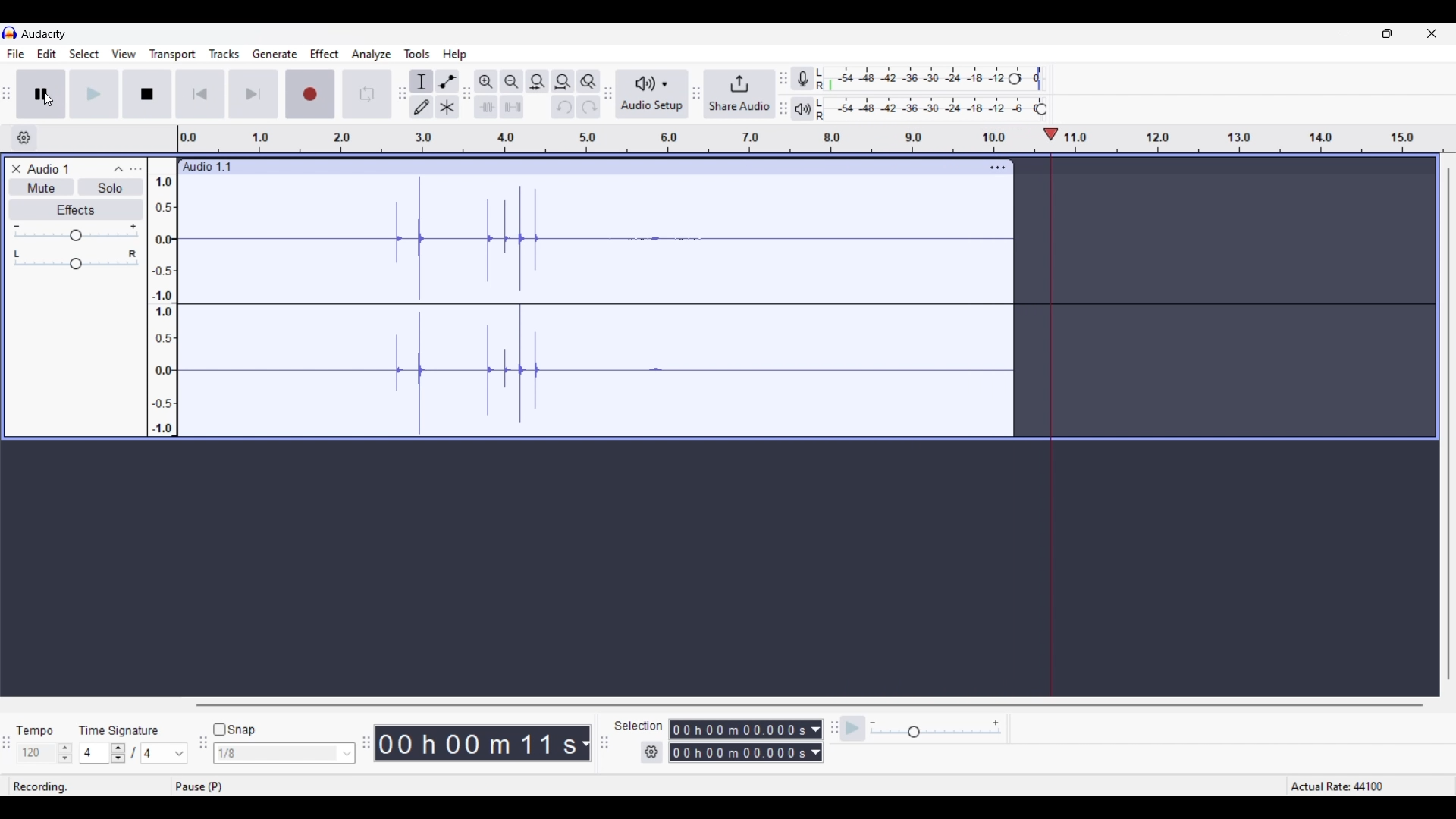 The image size is (1456, 819). I want to click on Audio setup, so click(651, 95).